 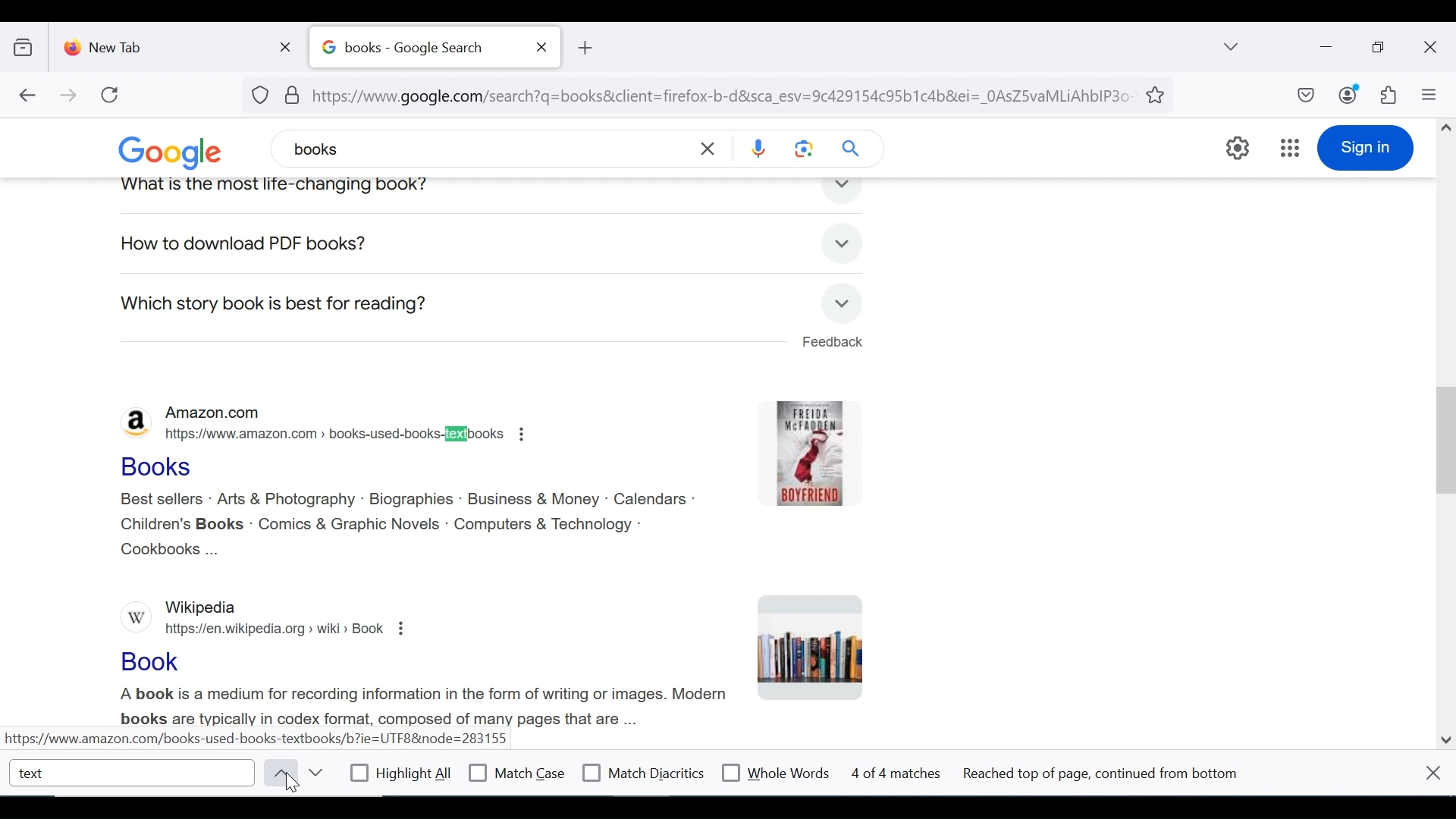 I want to click on https://en.wikipedia.org>wiki>book, so click(x=285, y=629).